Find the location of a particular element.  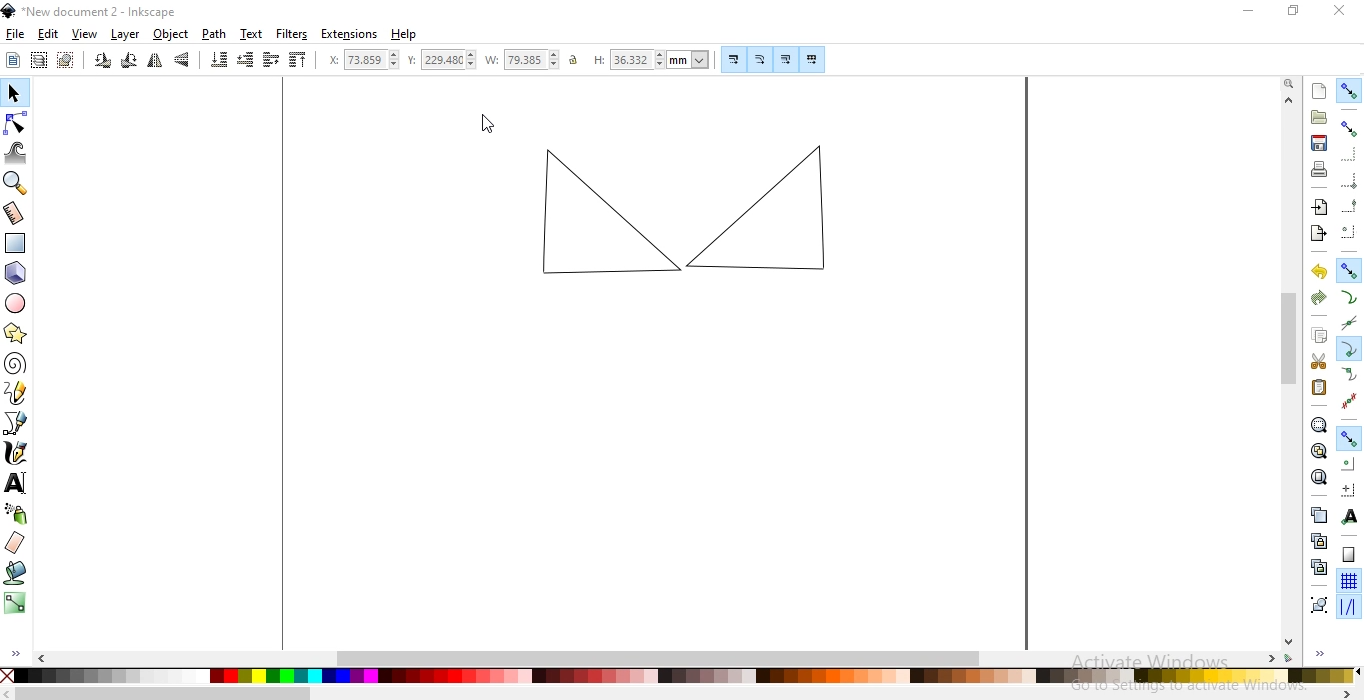

snap to edges of bounding box is located at coordinates (1348, 152).